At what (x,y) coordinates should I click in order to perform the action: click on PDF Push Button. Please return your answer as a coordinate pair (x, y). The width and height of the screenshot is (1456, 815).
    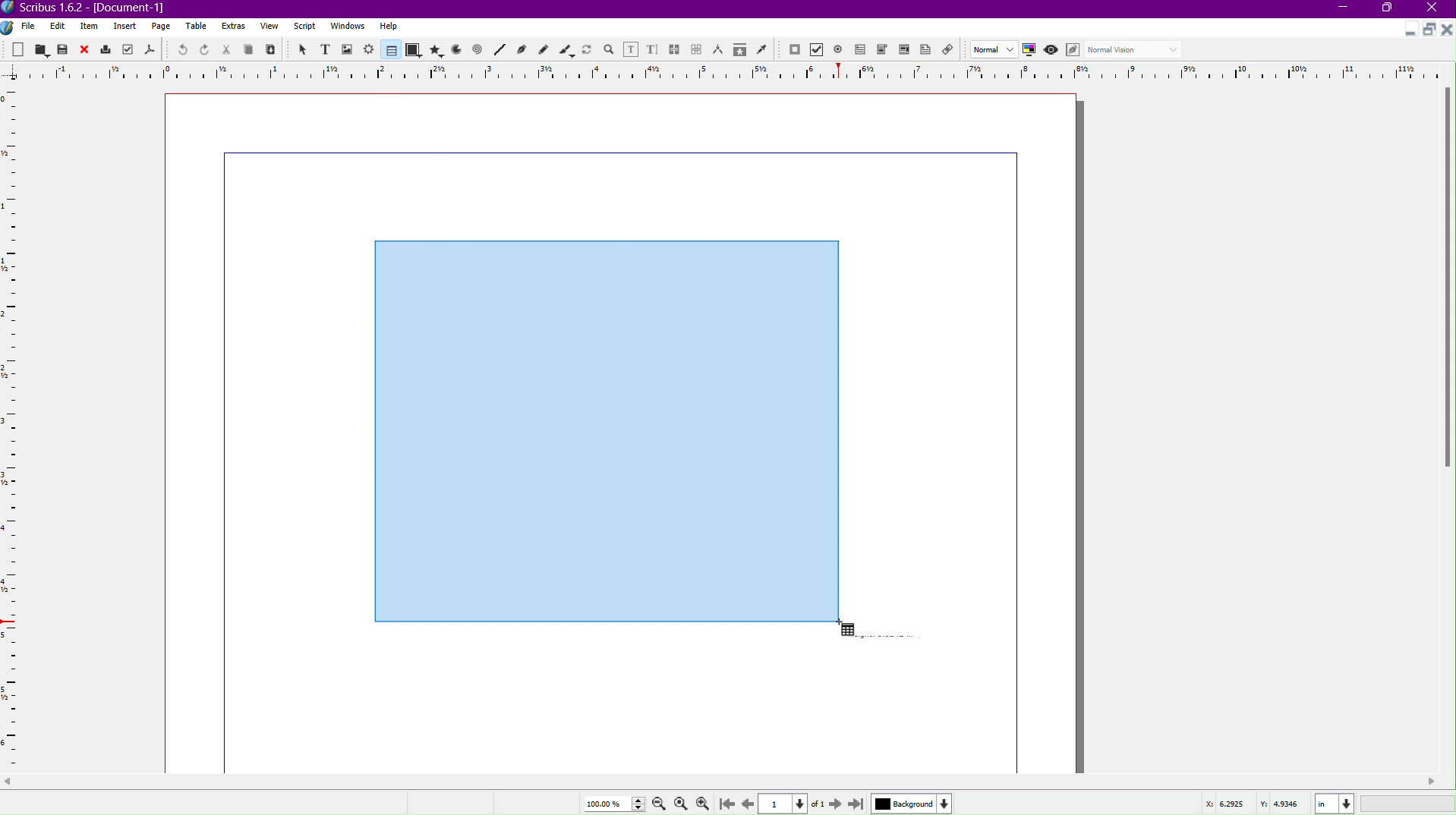
    Looking at the image, I should click on (794, 50).